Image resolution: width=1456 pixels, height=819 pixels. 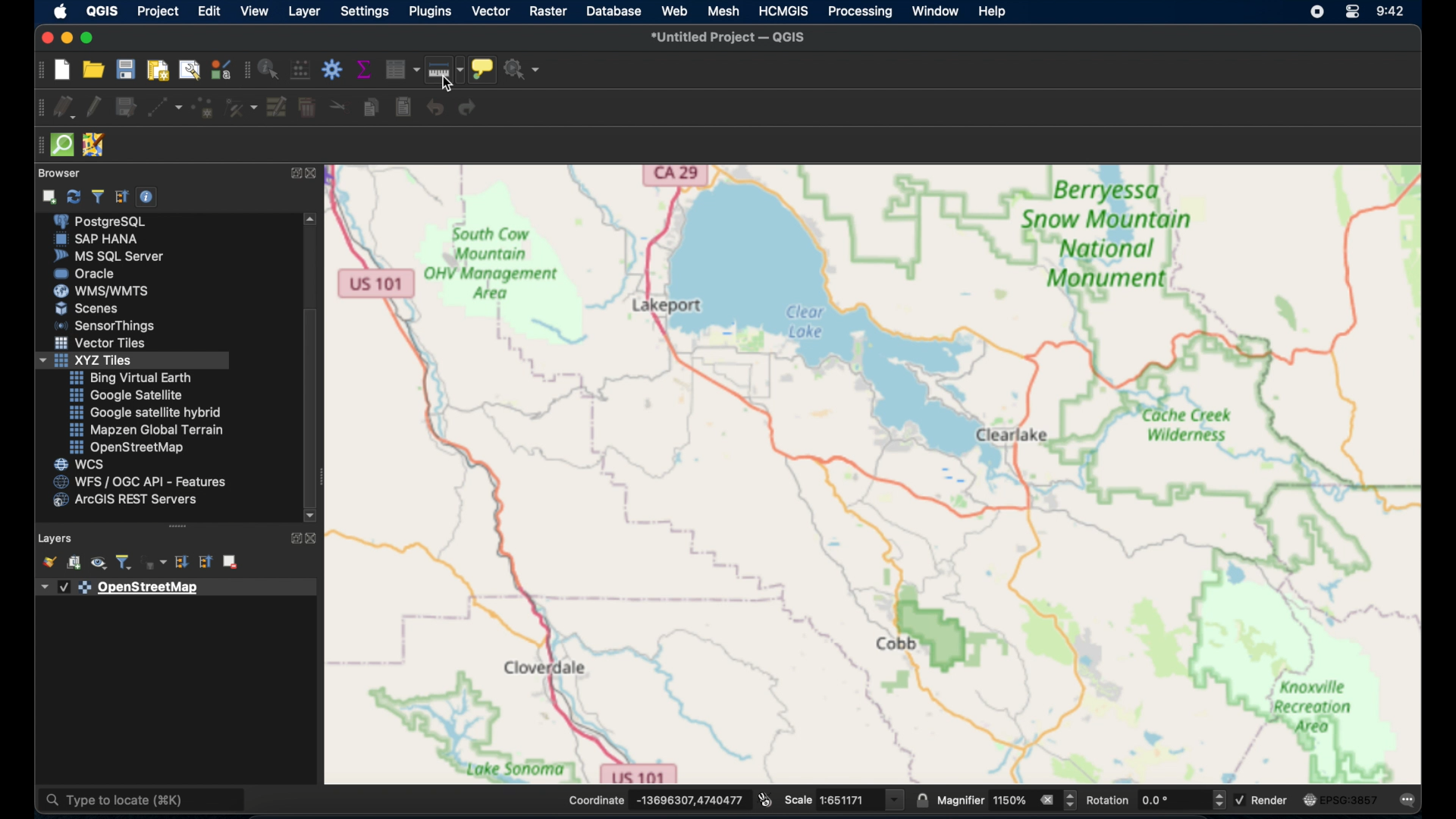 I want to click on collapse all, so click(x=121, y=195).